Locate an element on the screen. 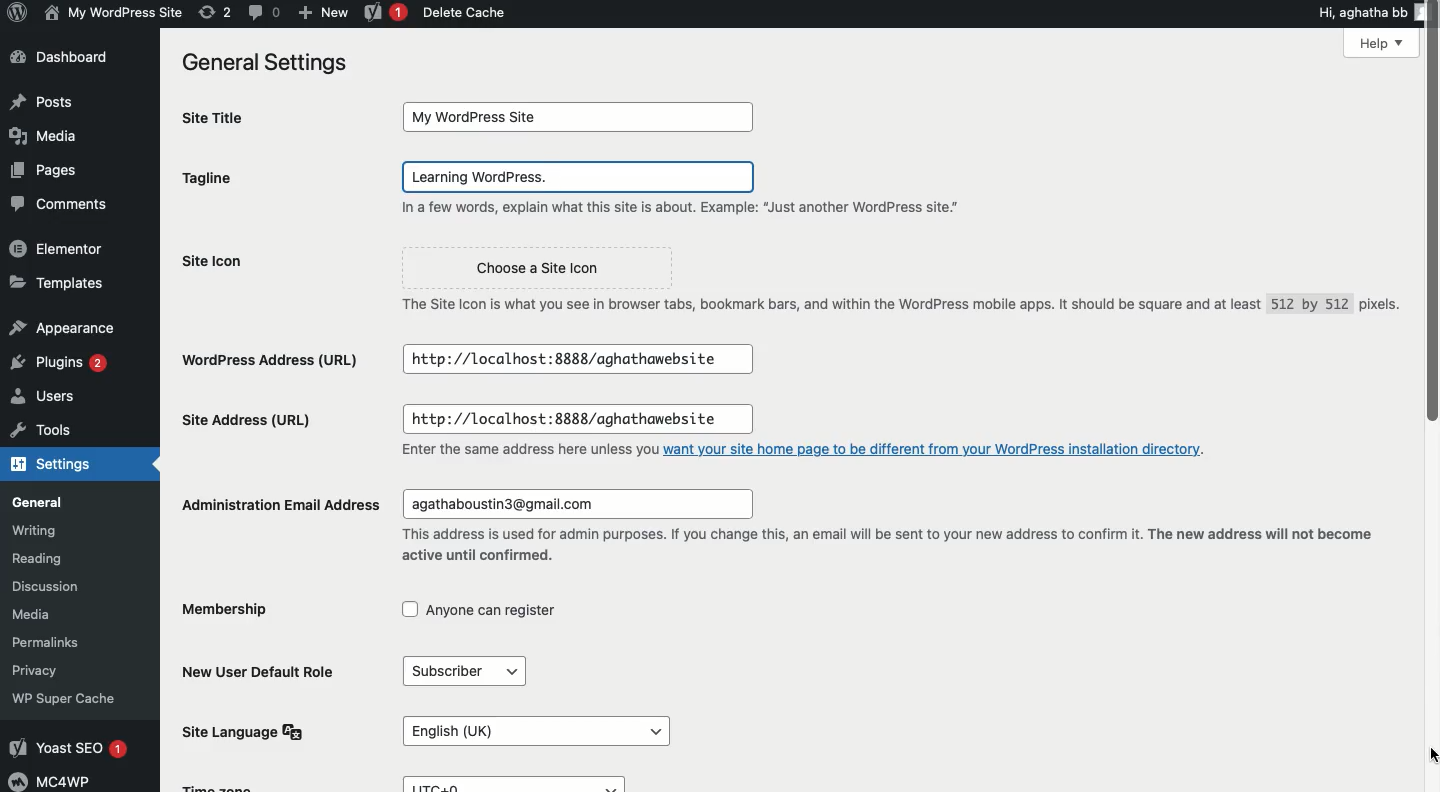  Post is located at coordinates (43, 100).